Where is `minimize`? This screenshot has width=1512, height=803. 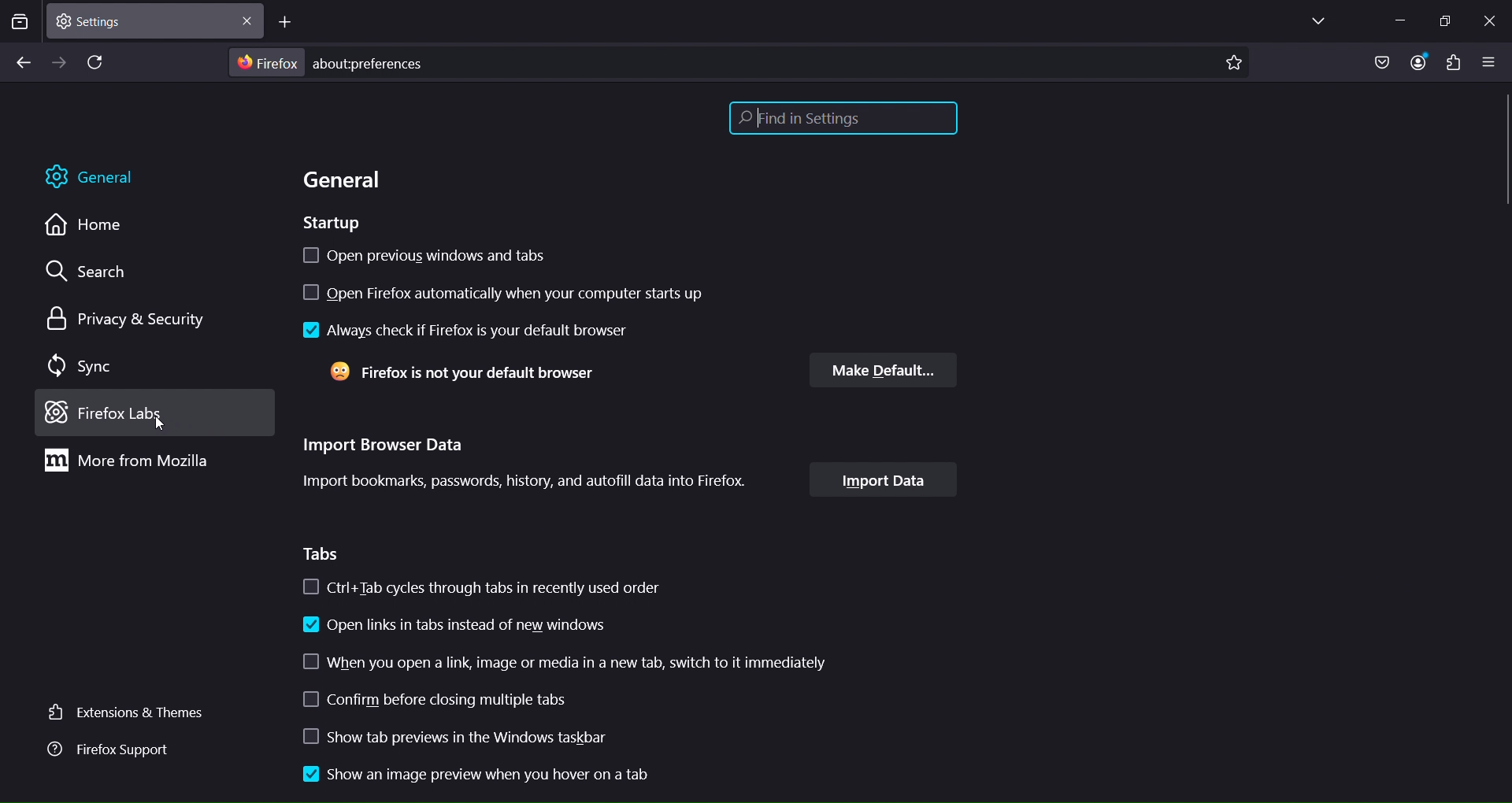
minimize is located at coordinates (1393, 19).